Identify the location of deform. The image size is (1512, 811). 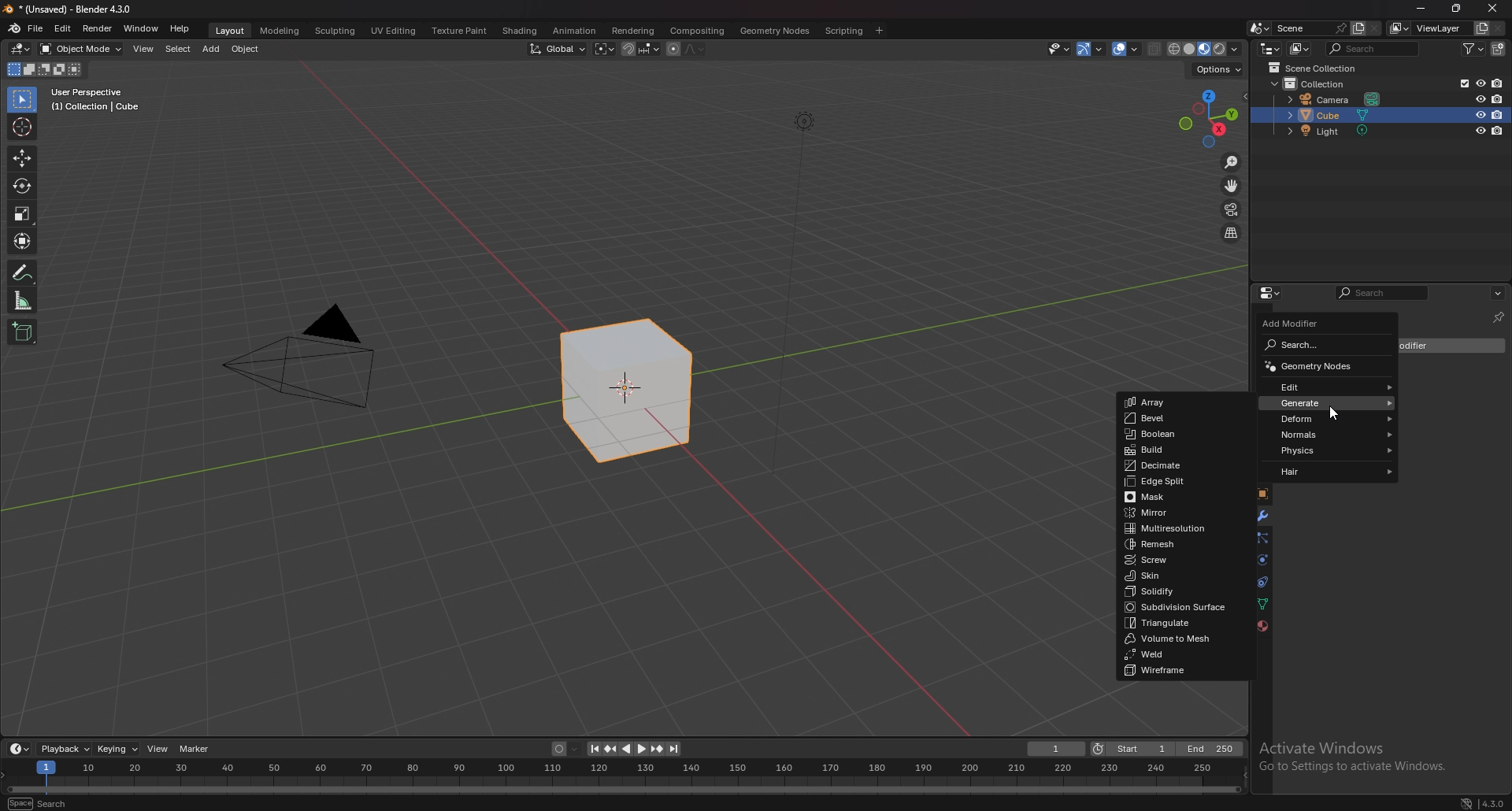
(1328, 419).